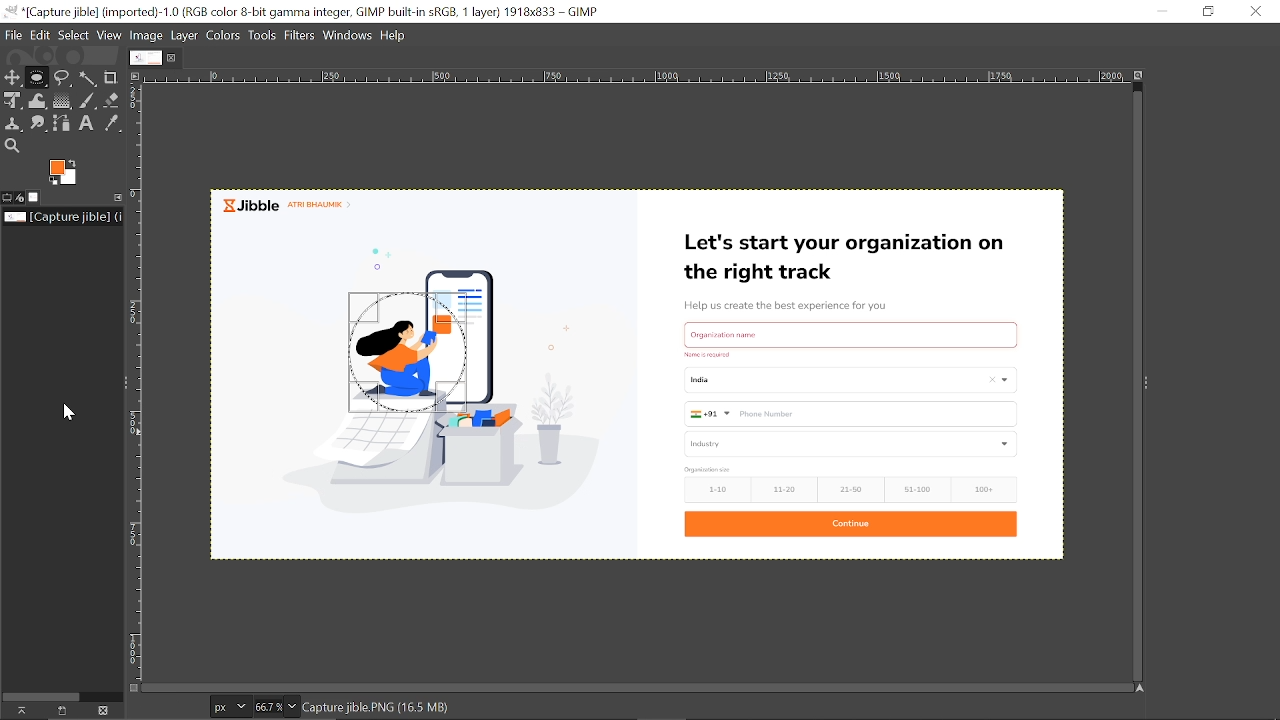 Image resolution: width=1280 pixels, height=720 pixels. Describe the element at coordinates (1255, 11) in the screenshot. I see `Close` at that location.